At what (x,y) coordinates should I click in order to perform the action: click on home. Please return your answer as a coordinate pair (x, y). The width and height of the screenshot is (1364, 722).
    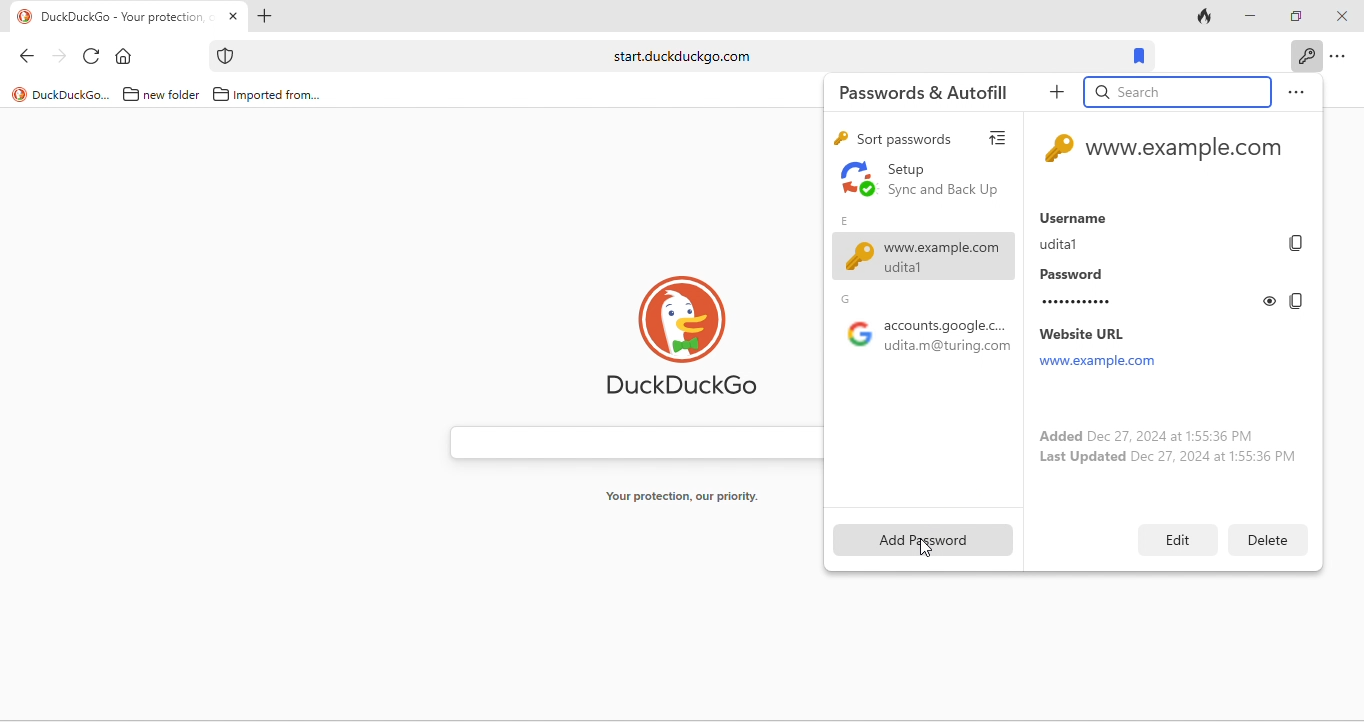
    Looking at the image, I should click on (125, 55).